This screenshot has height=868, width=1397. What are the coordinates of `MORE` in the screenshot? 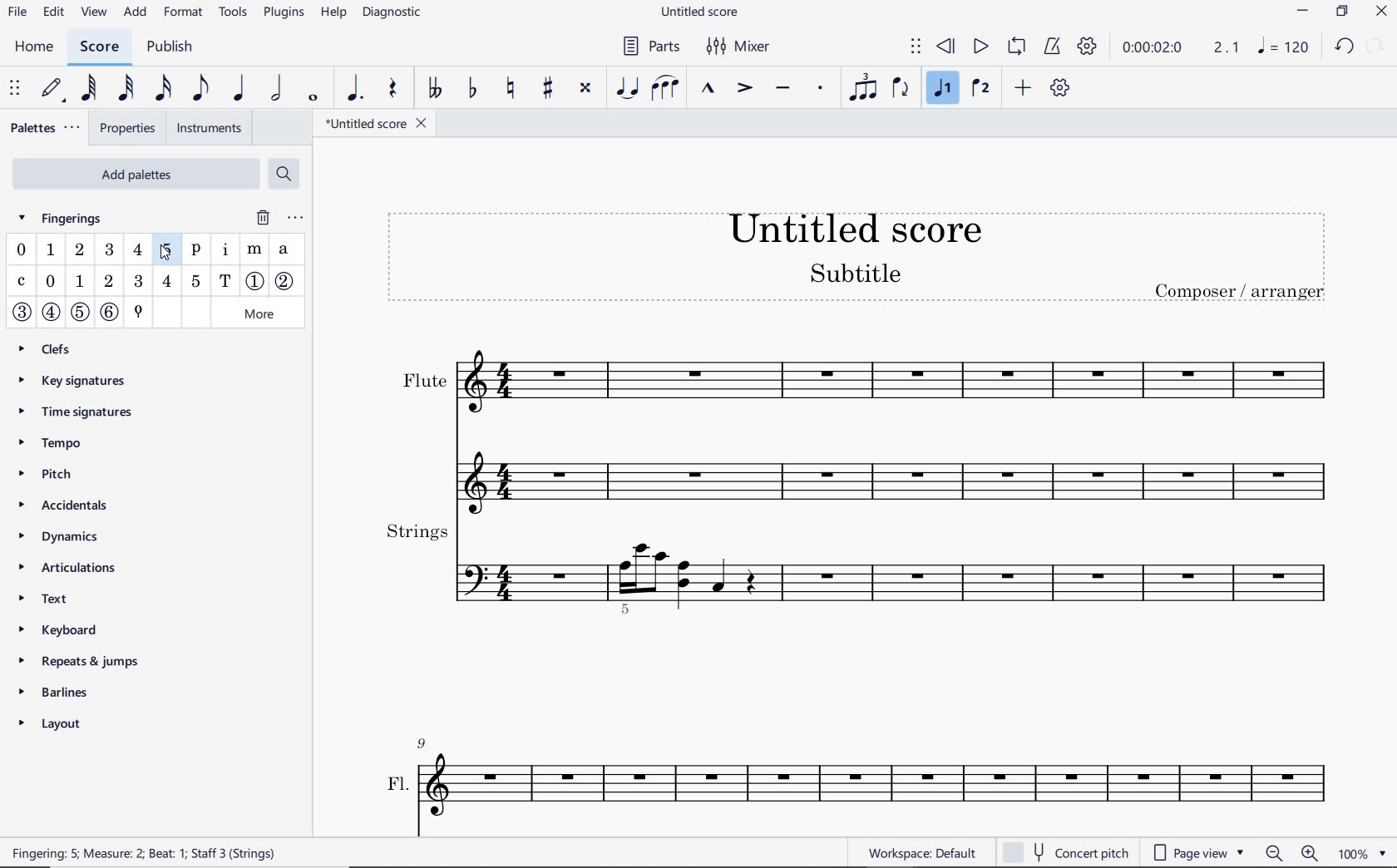 It's located at (259, 313).